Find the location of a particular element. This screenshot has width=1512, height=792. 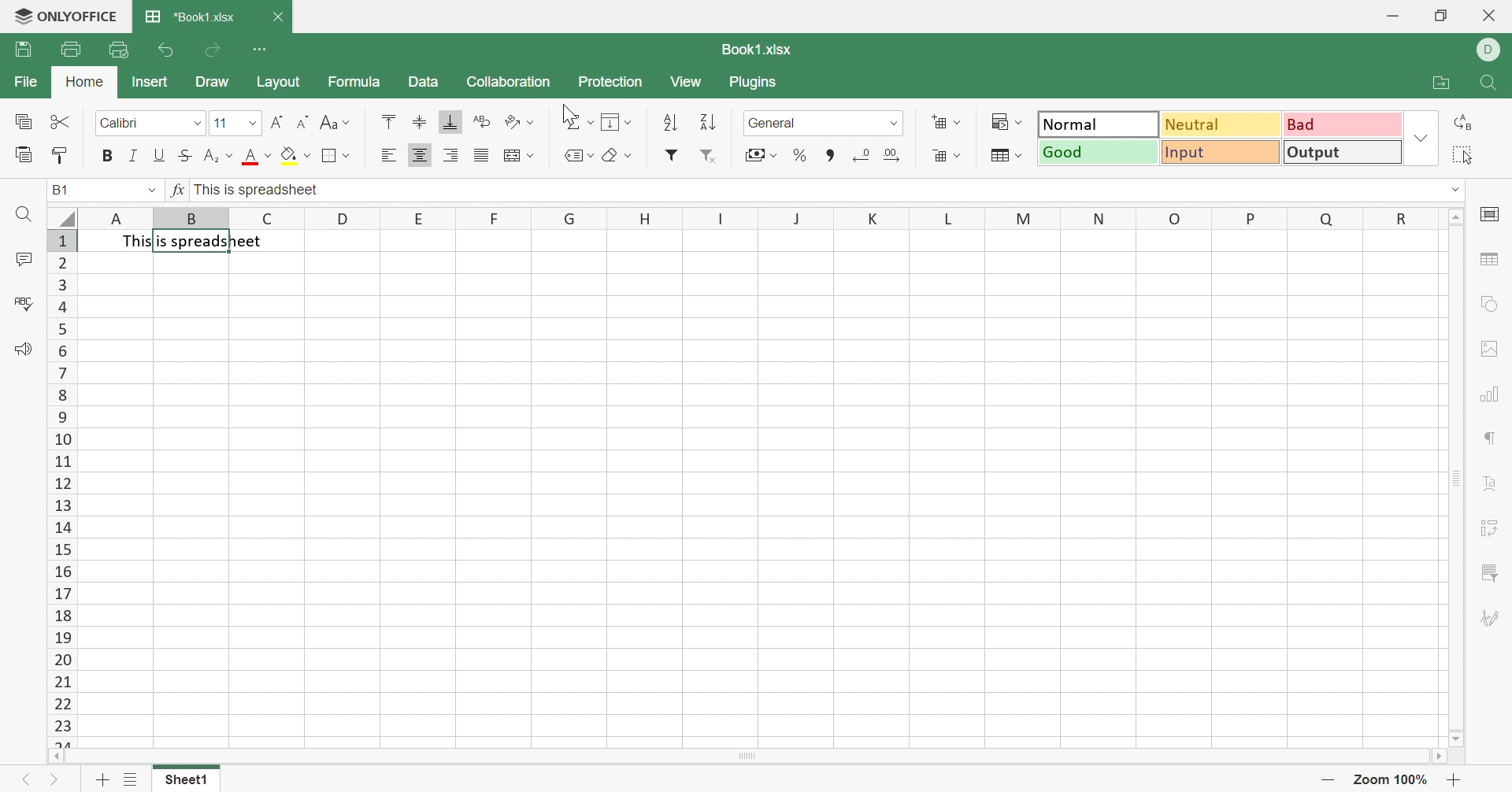

*Book1.xlsx is located at coordinates (189, 17).